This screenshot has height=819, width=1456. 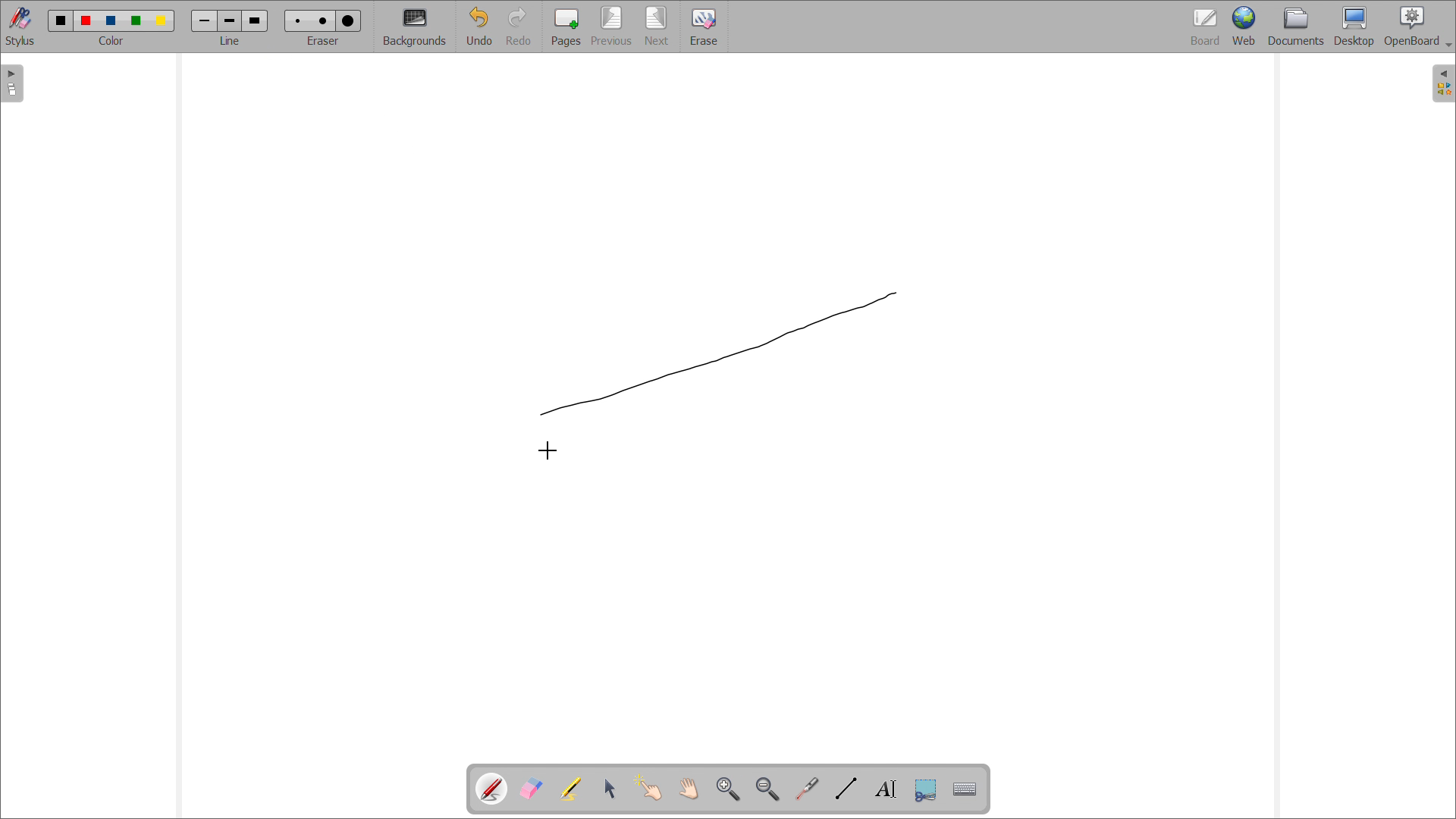 I want to click on draw text, so click(x=887, y=789).